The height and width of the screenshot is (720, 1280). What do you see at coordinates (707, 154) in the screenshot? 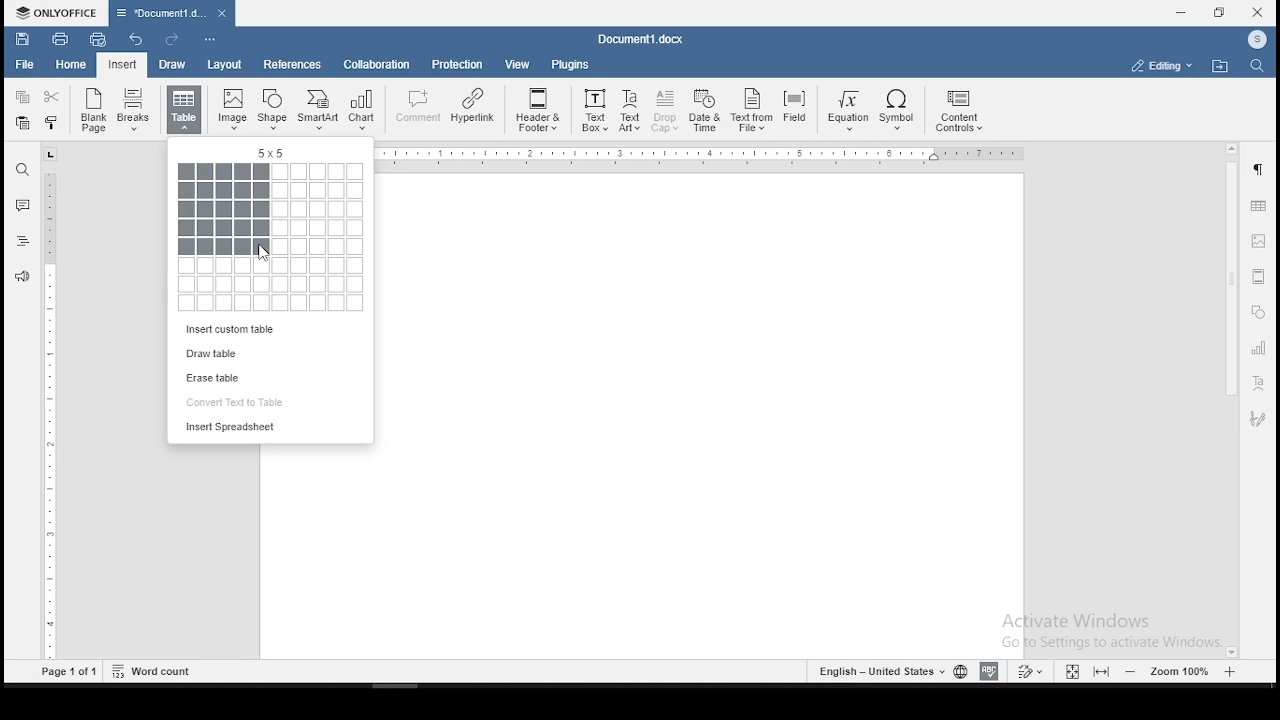
I see `Ruler` at bounding box center [707, 154].